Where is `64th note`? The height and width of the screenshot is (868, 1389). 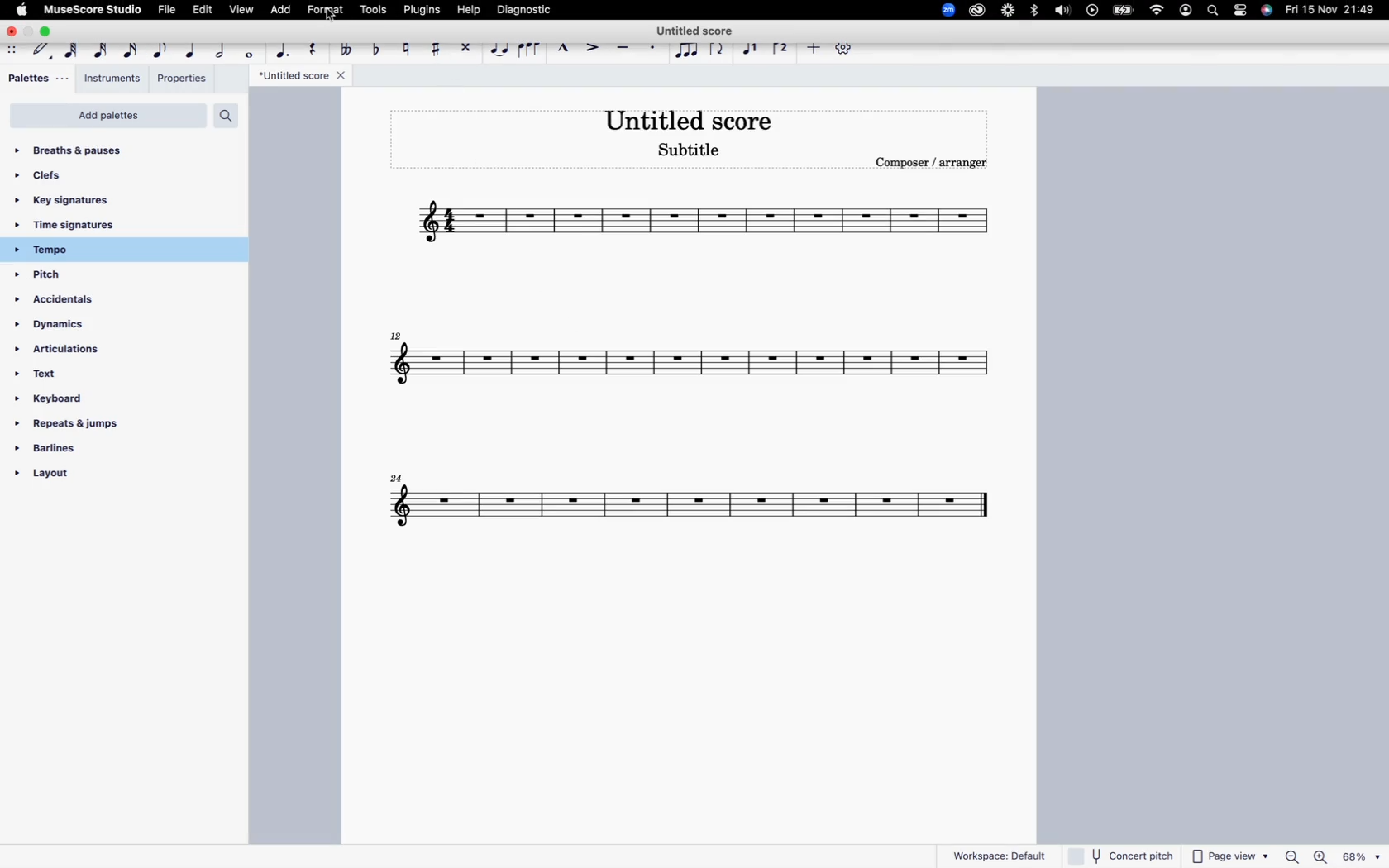 64th note is located at coordinates (73, 49).